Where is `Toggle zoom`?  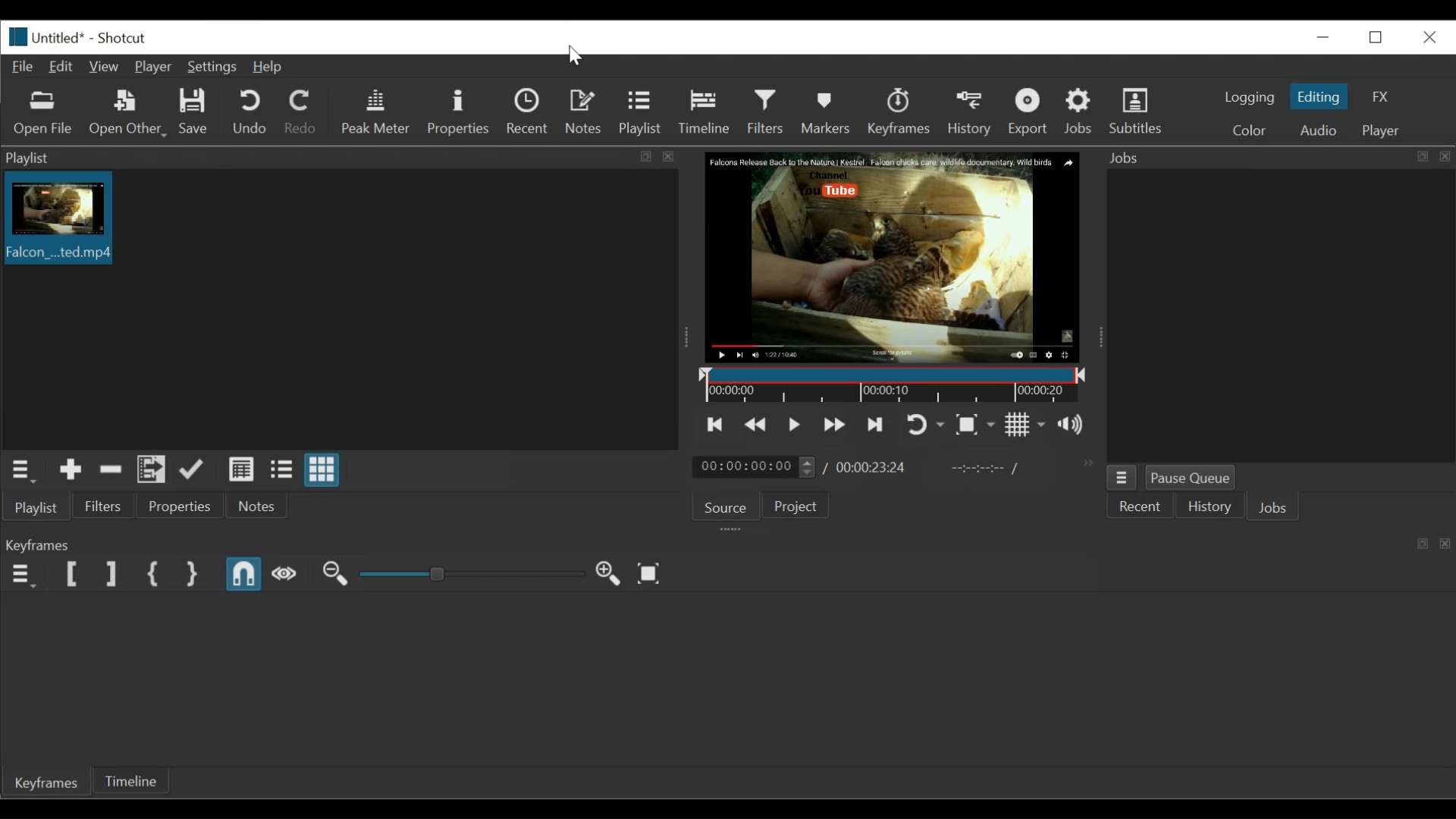 Toggle zoom is located at coordinates (976, 427).